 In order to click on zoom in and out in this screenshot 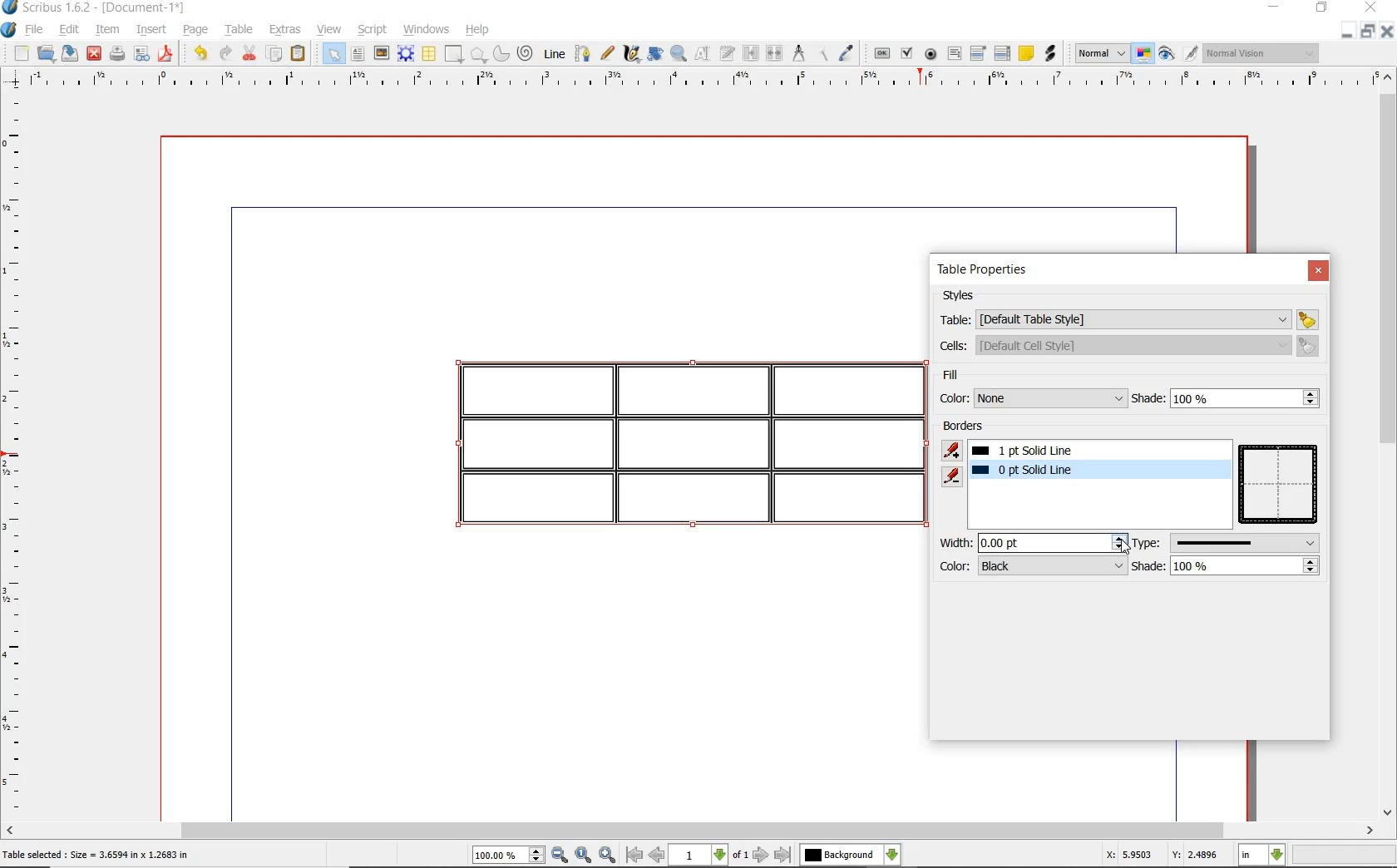, I will do `click(679, 54)`.